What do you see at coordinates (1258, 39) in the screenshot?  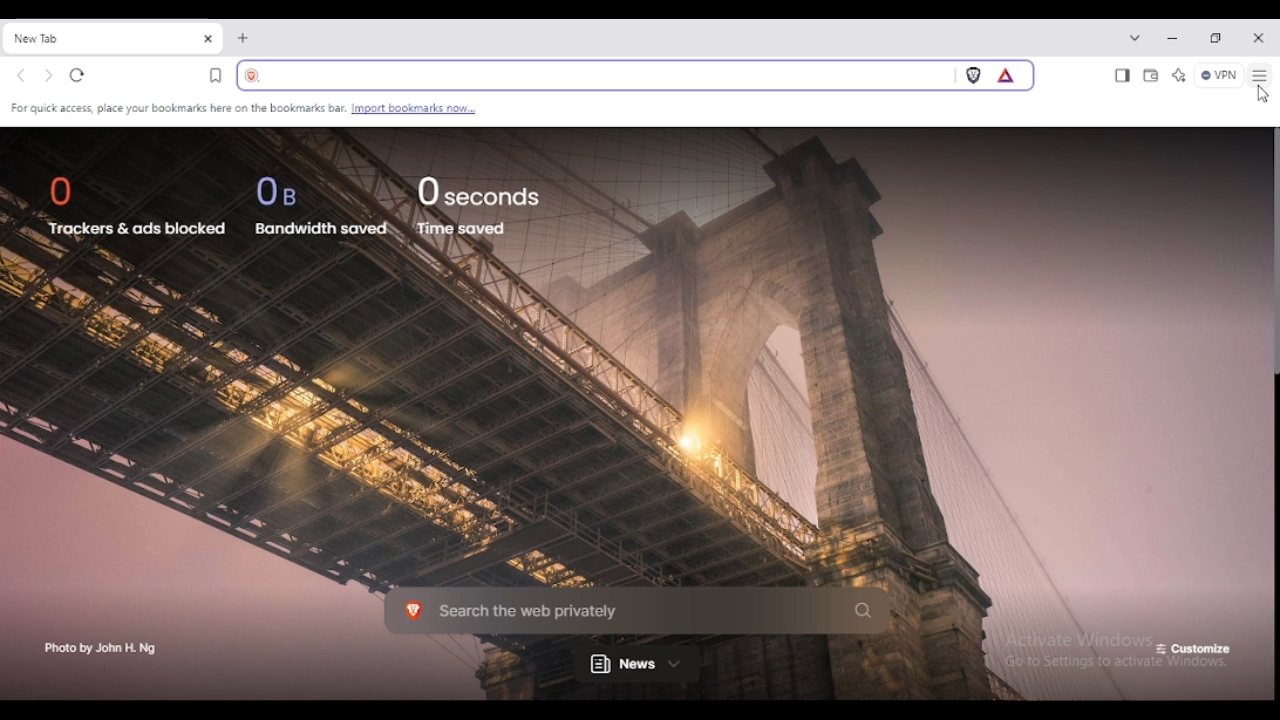 I see `close` at bounding box center [1258, 39].